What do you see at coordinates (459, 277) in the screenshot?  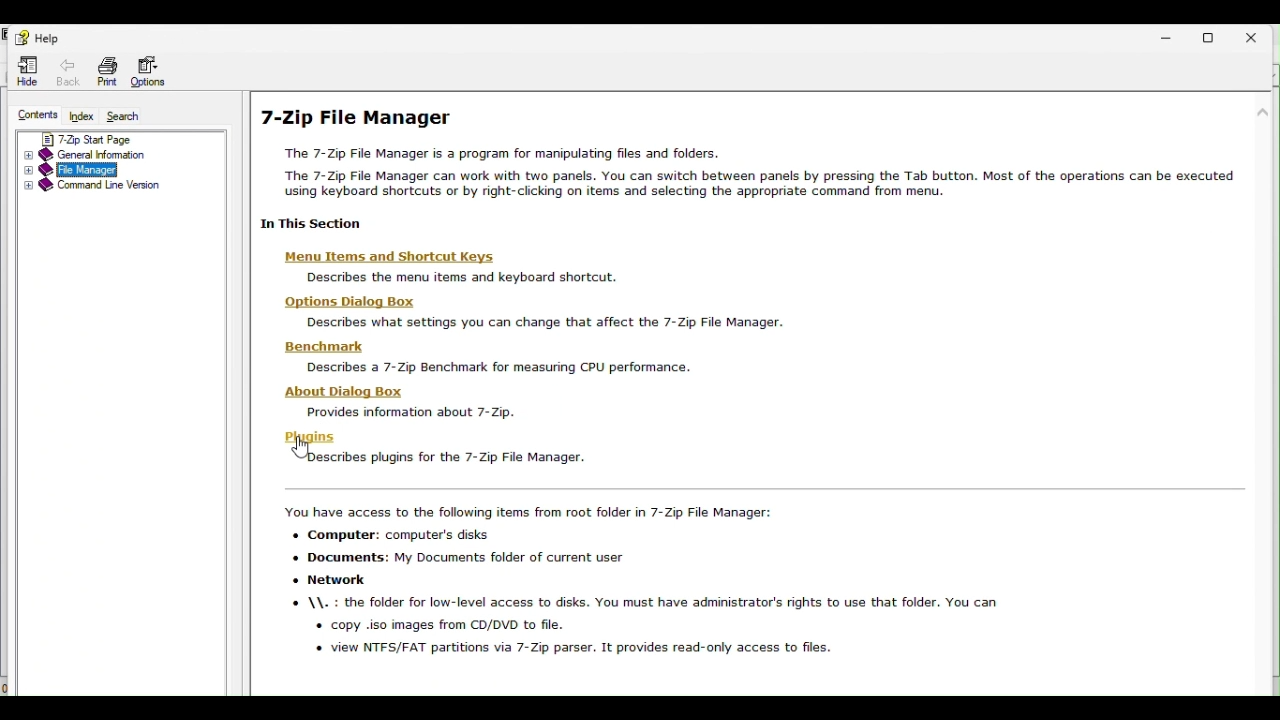 I see `Describes the menu items and kevboard shortcut.` at bounding box center [459, 277].